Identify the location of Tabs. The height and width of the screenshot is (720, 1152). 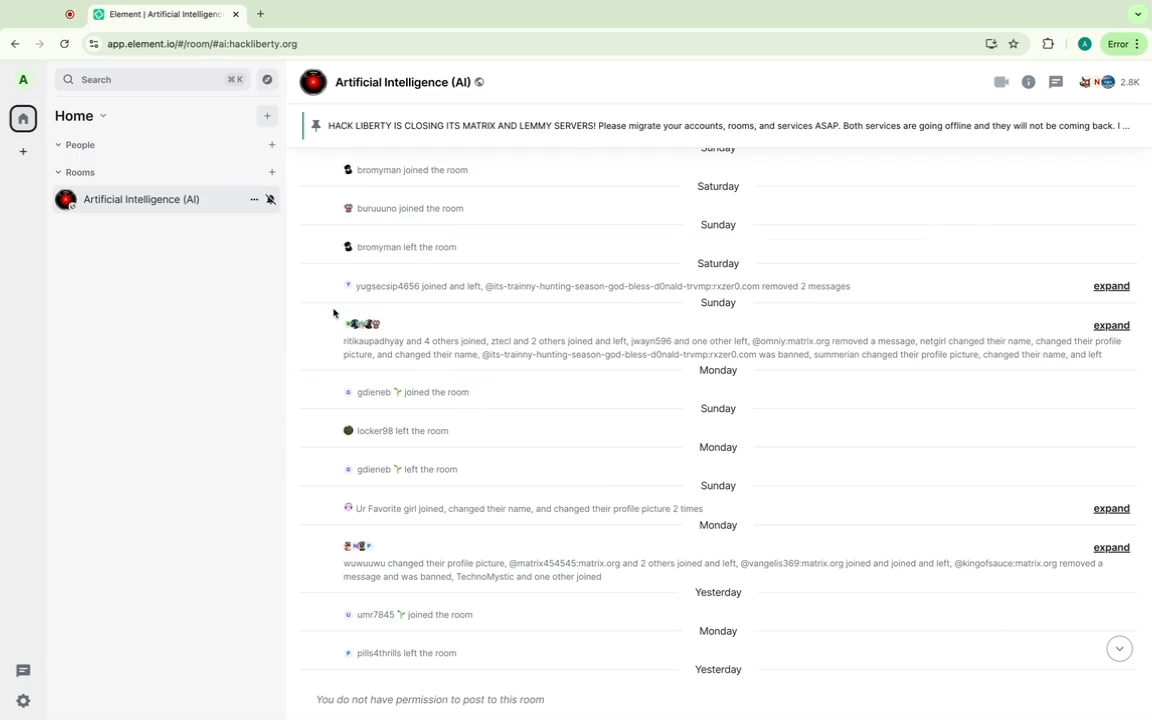
(154, 15).